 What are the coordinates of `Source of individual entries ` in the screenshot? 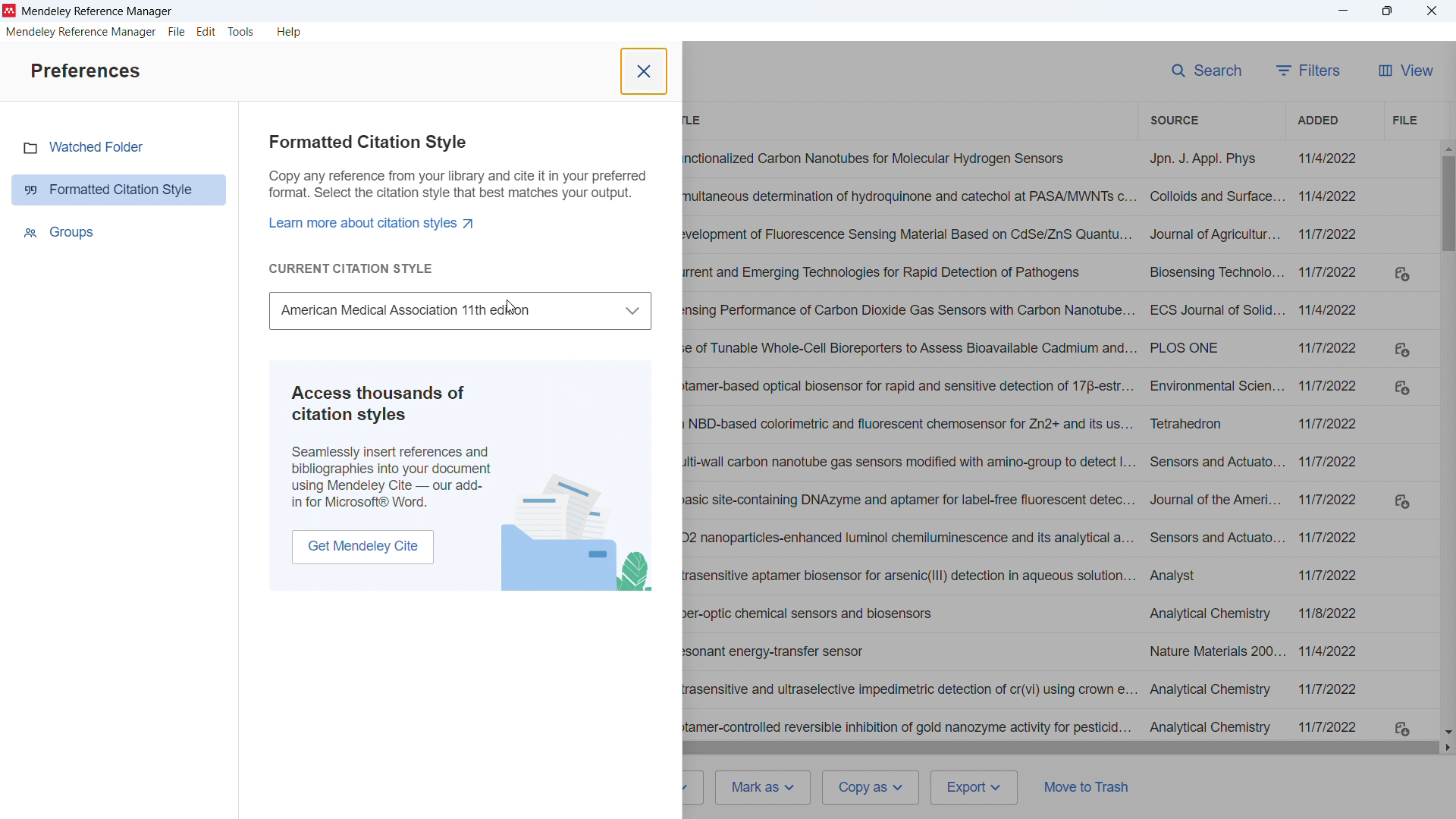 It's located at (1213, 442).